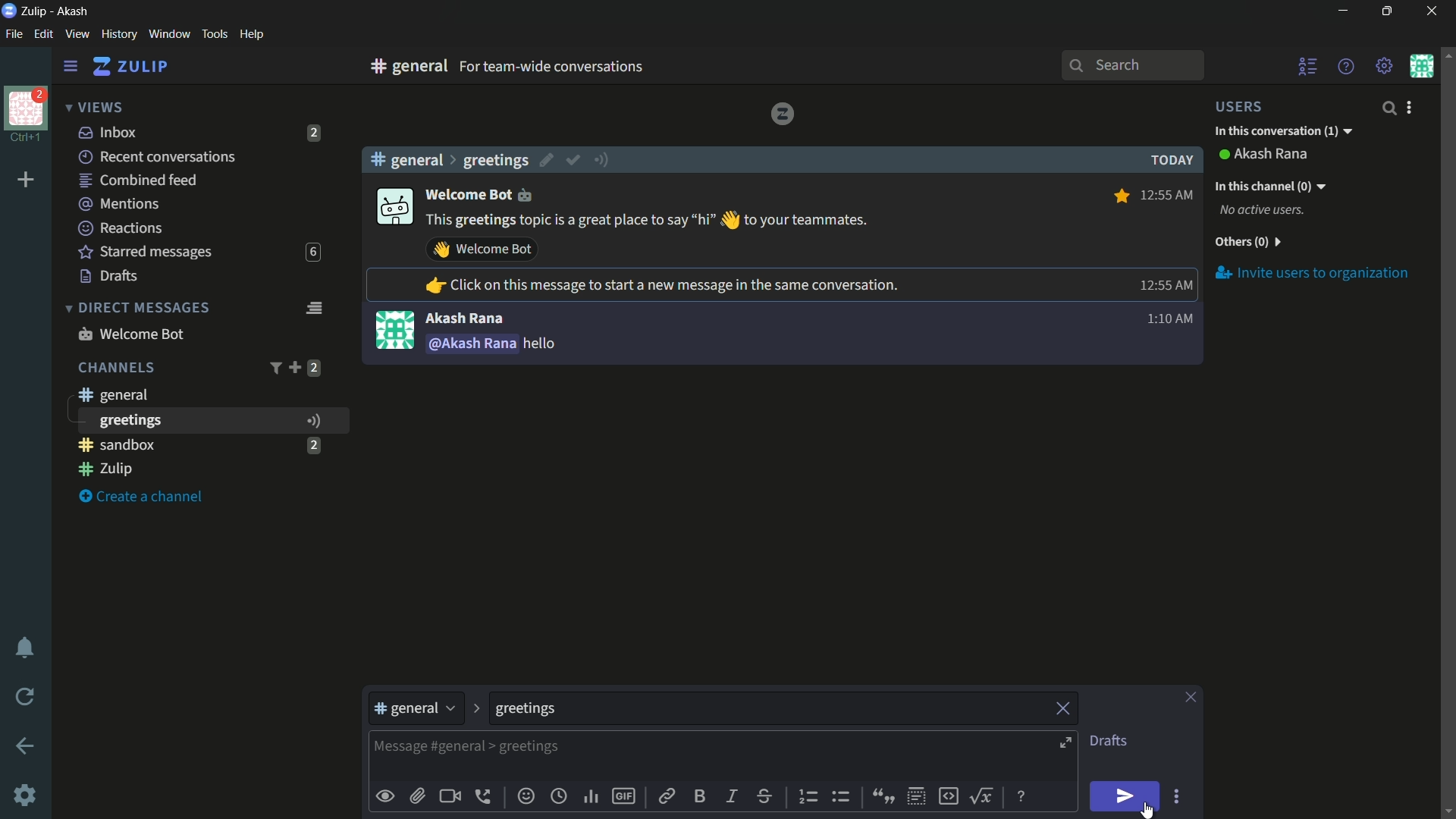  I want to click on 6 unread messages, so click(312, 253).